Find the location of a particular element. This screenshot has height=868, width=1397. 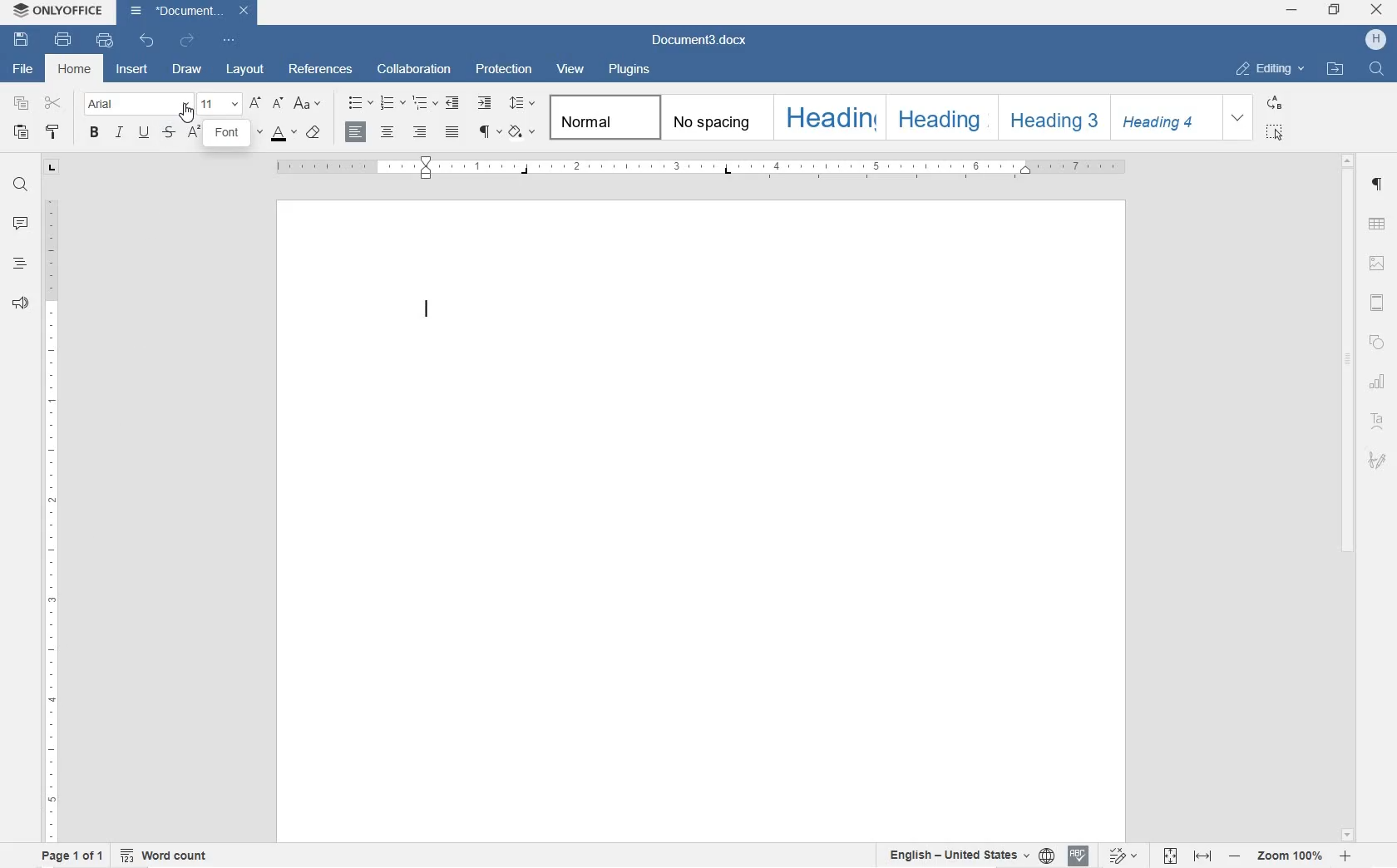

BOLD is located at coordinates (95, 136).